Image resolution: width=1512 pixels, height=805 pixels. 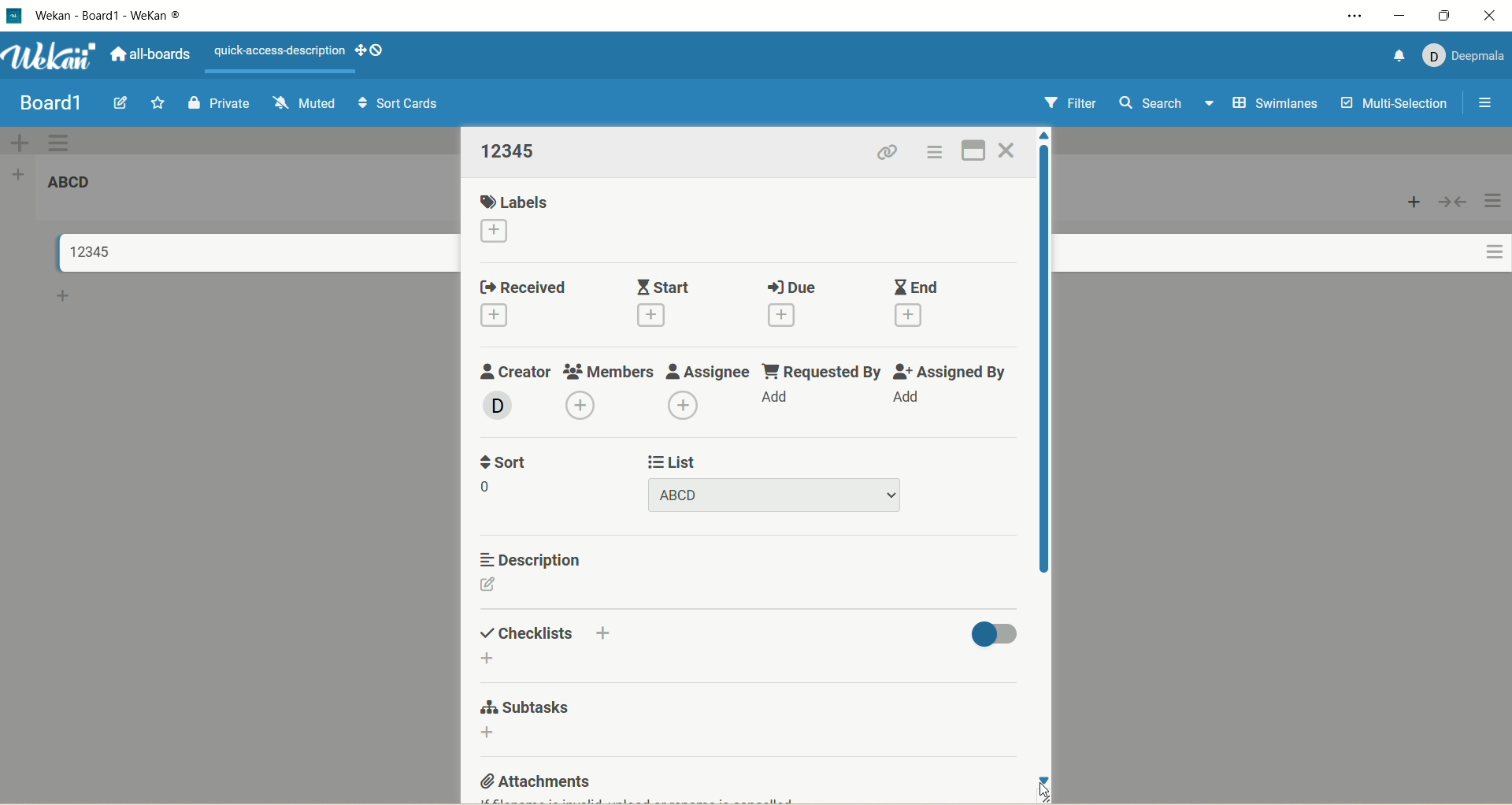 What do you see at coordinates (533, 785) in the screenshot?
I see `attachments` at bounding box center [533, 785].